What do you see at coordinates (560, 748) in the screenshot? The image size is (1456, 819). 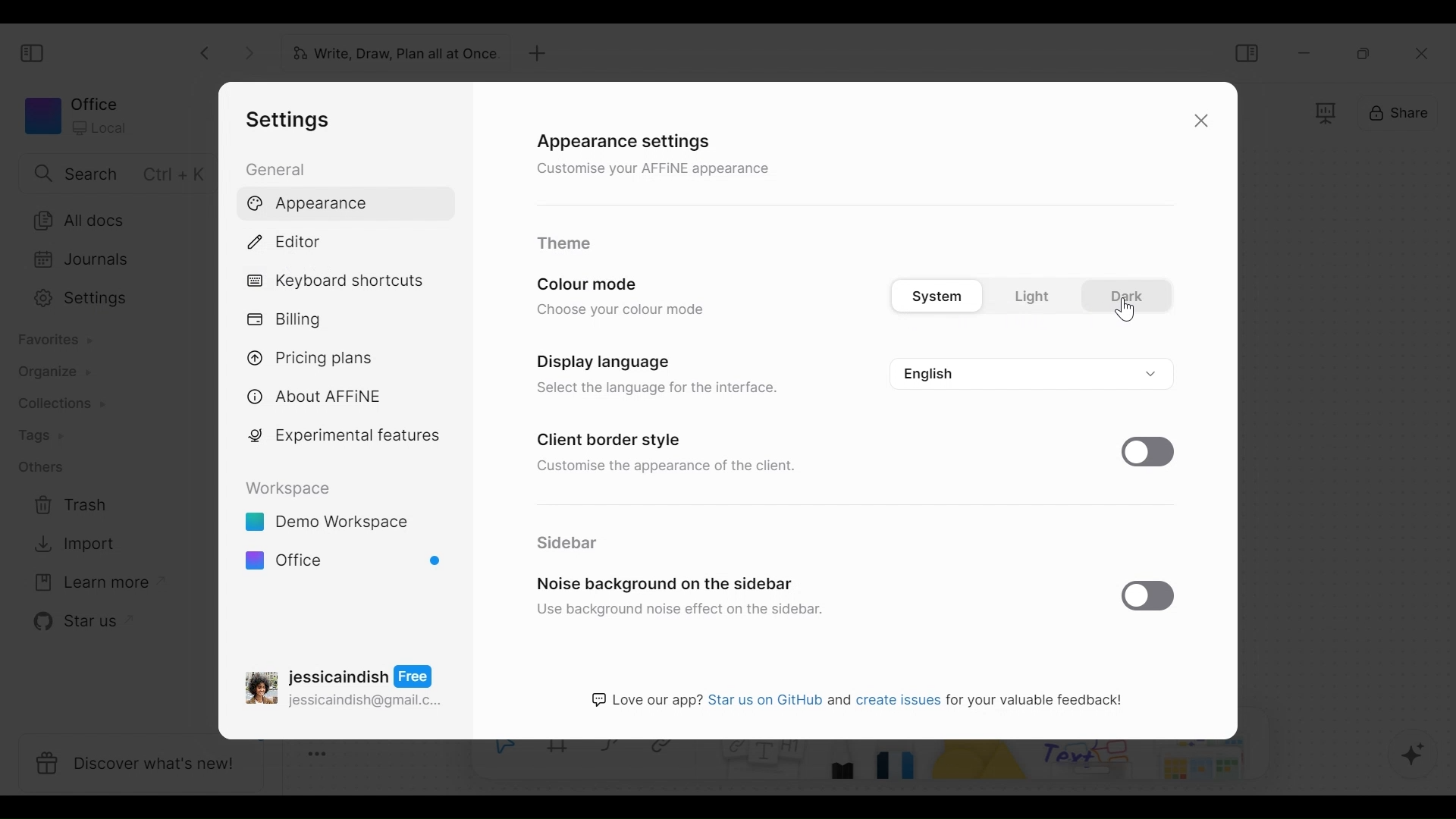 I see `Frame` at bounding box center [560, 748].